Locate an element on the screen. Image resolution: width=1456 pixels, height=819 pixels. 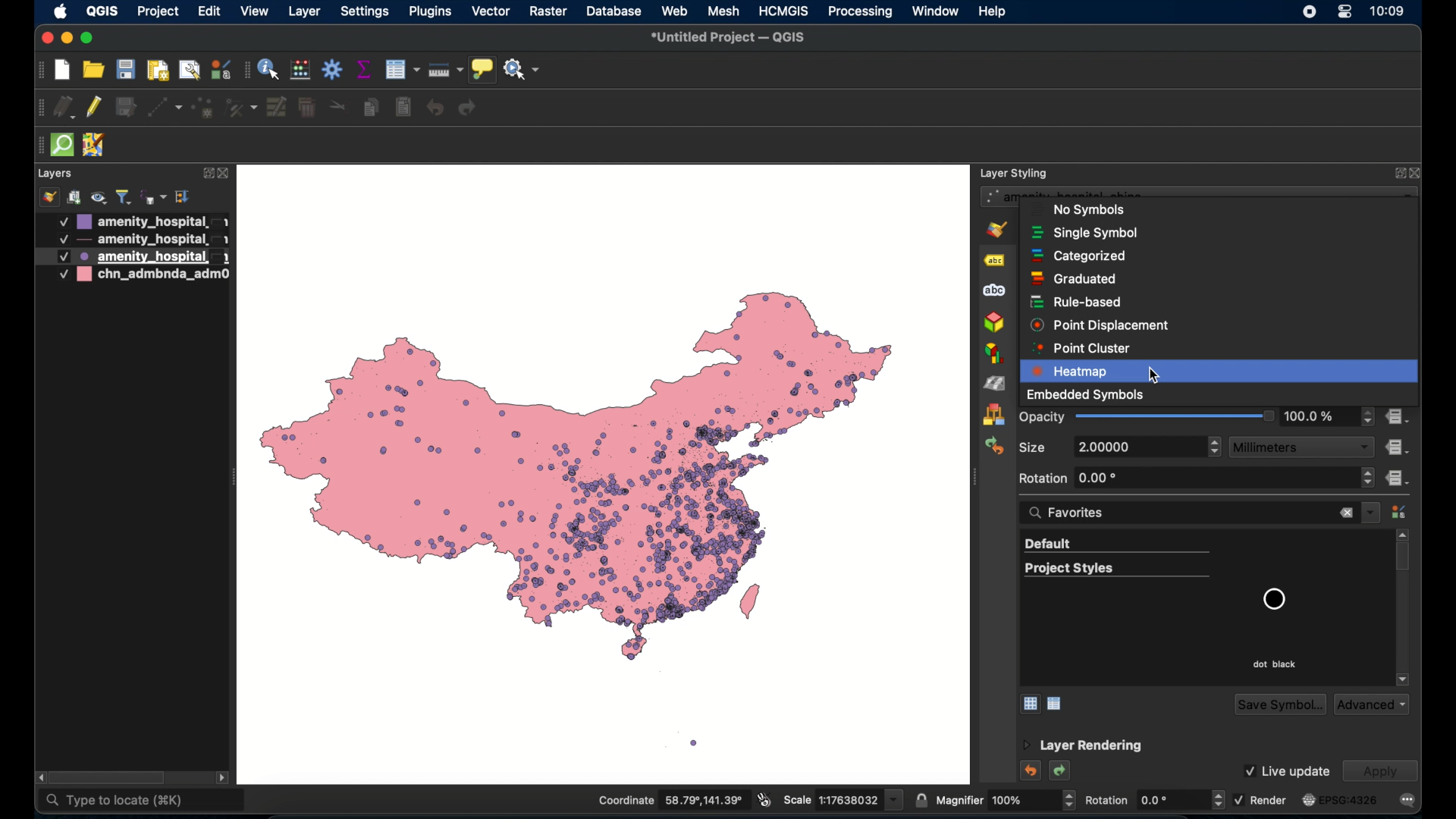
data defined override is located at coordinates (1398, 417).